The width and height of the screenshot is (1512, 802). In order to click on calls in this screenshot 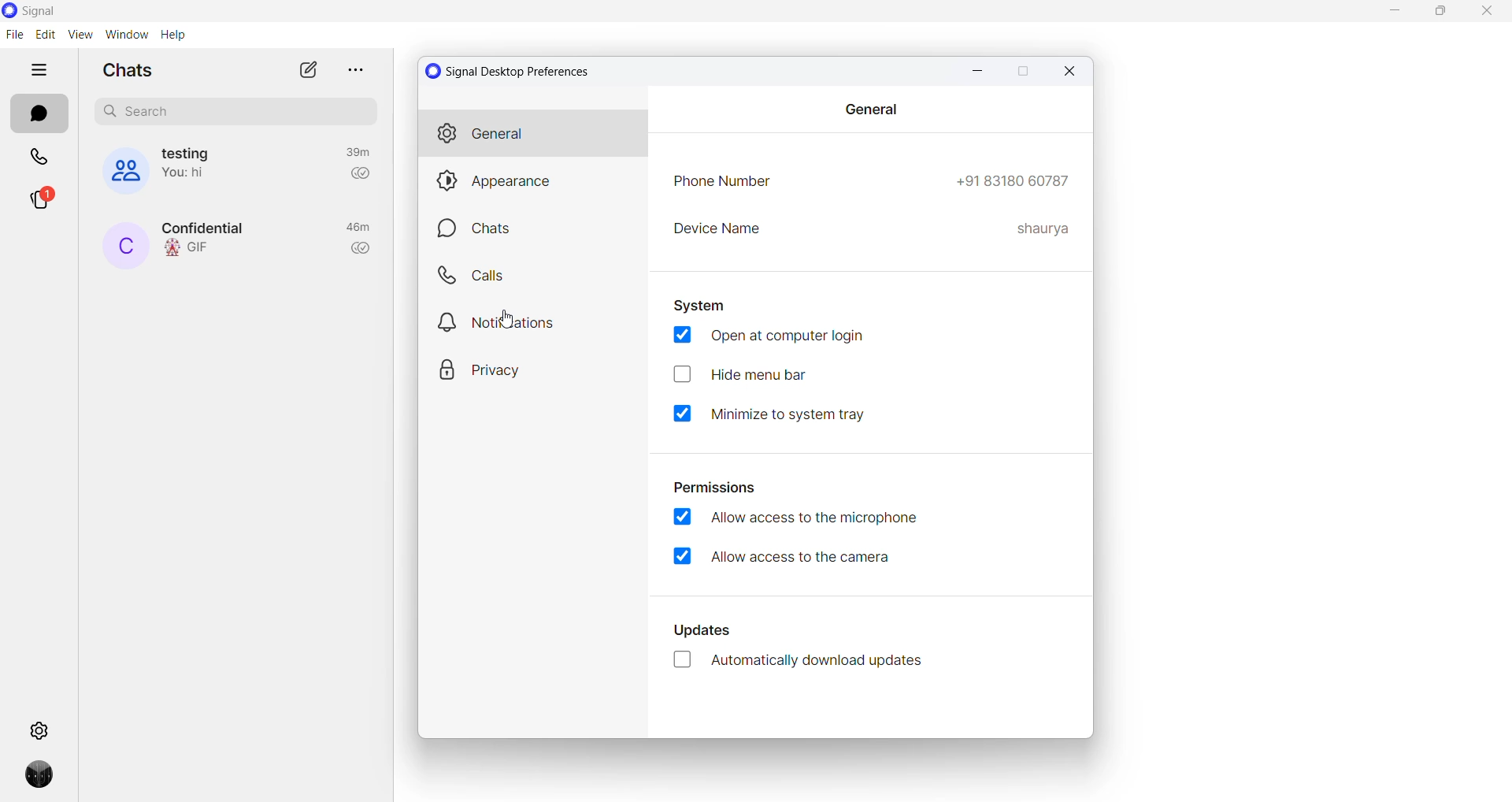, I will do `click(39, 158)`.